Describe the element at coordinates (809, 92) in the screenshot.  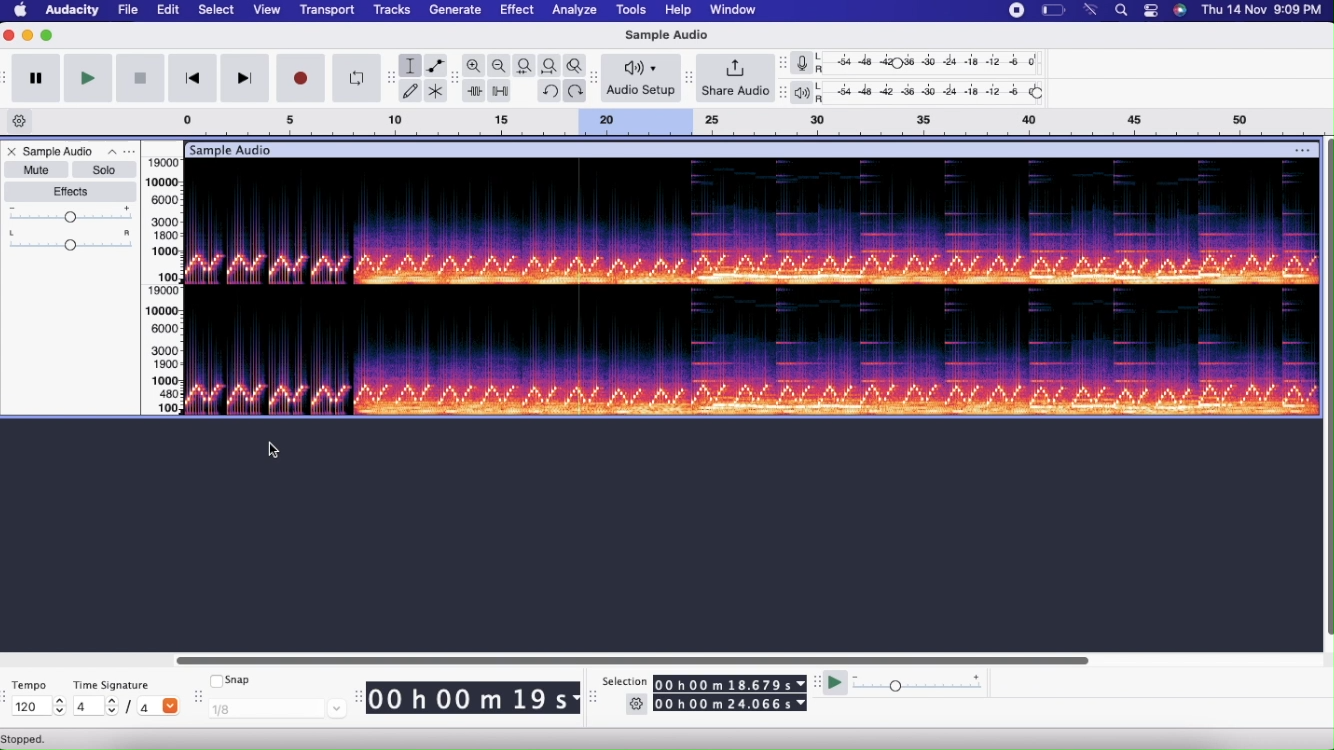
I see `Playback meter` at that location.